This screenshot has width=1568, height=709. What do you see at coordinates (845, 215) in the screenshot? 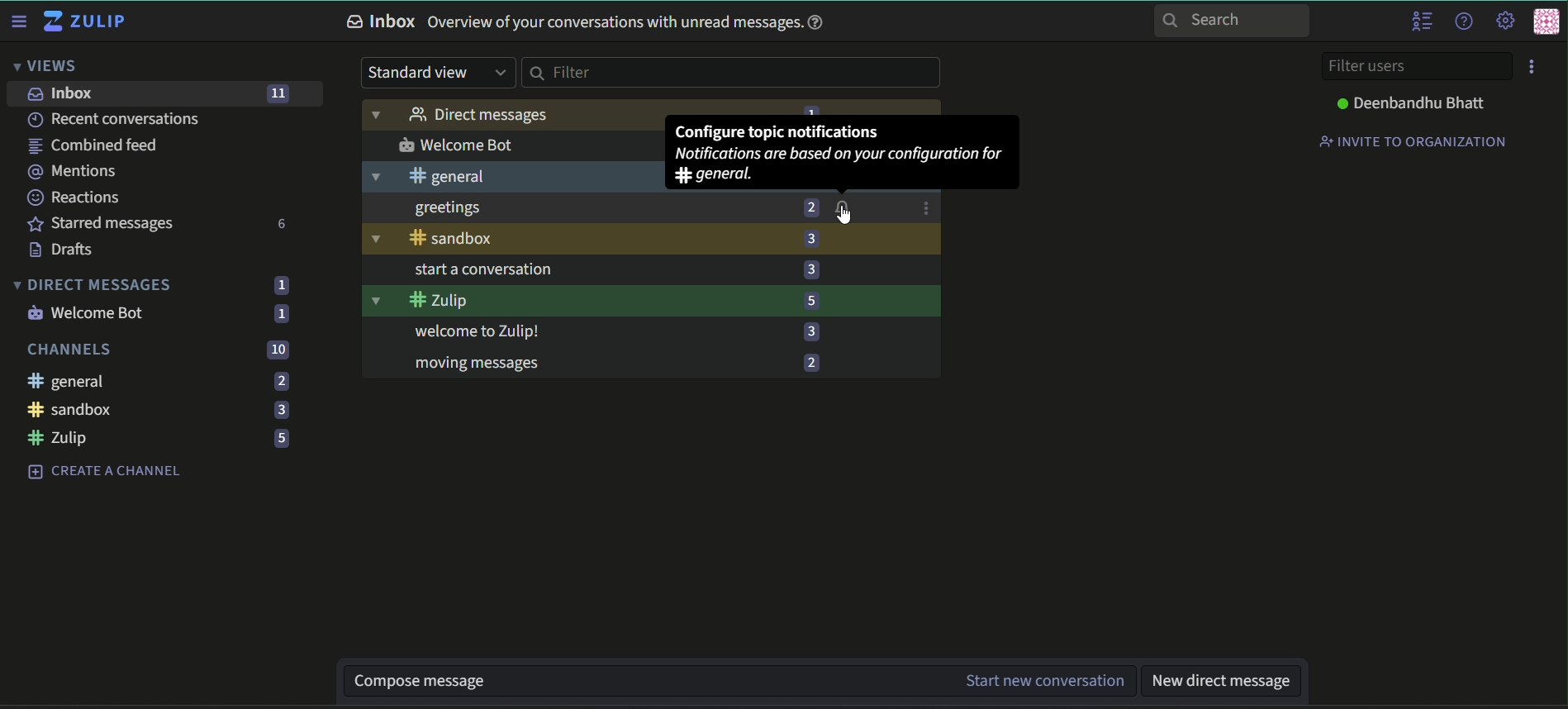
I see `cursor` at bounding box center [845, 215].